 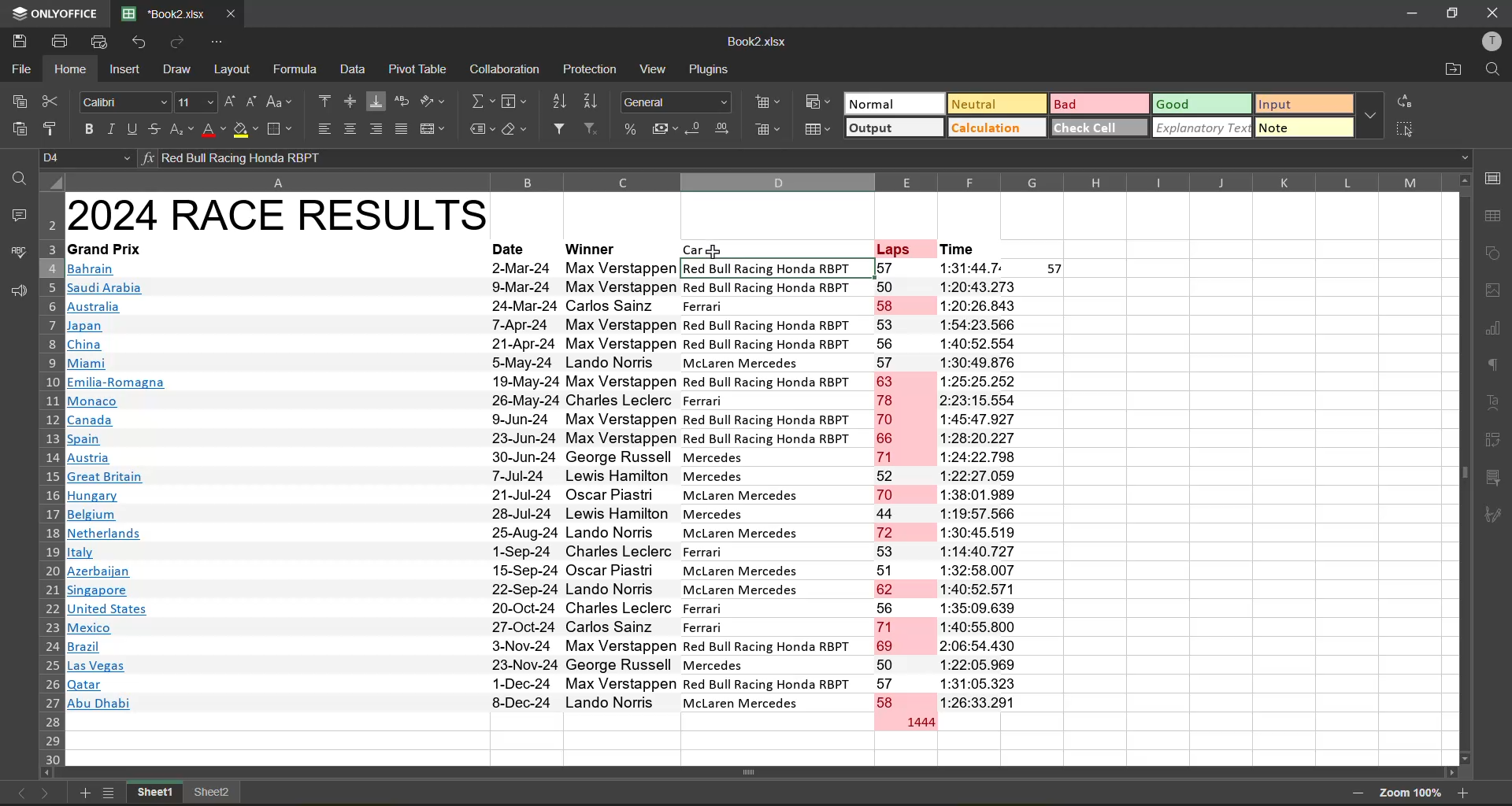 What do you see at coordinates (56, 42) in the screenshot?
I see `print` at bounding box center [56, 42].